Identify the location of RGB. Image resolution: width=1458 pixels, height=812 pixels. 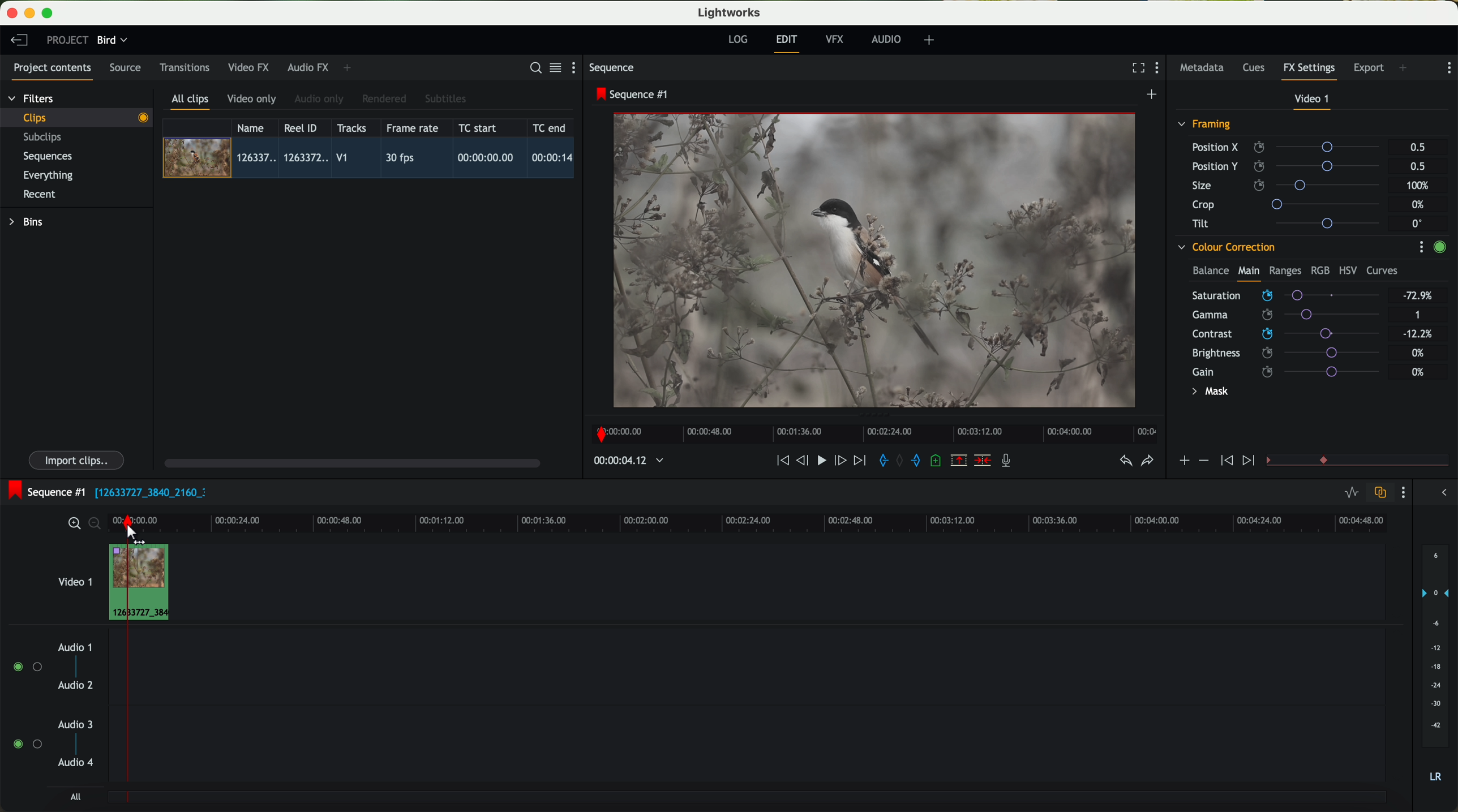
(1319, 269).